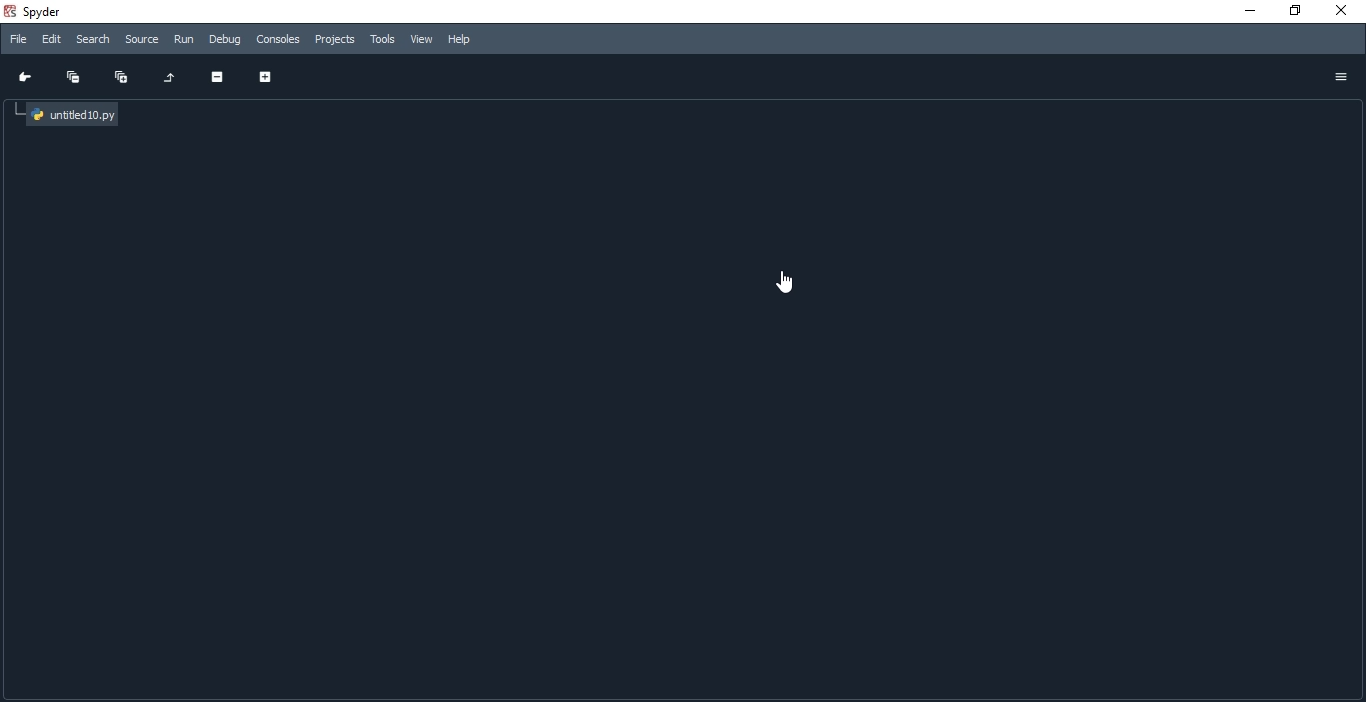 The image size is (1366, 702). Describe the element at coordinates (122, 78) in the screenshot. I see `Expand all` at that location.